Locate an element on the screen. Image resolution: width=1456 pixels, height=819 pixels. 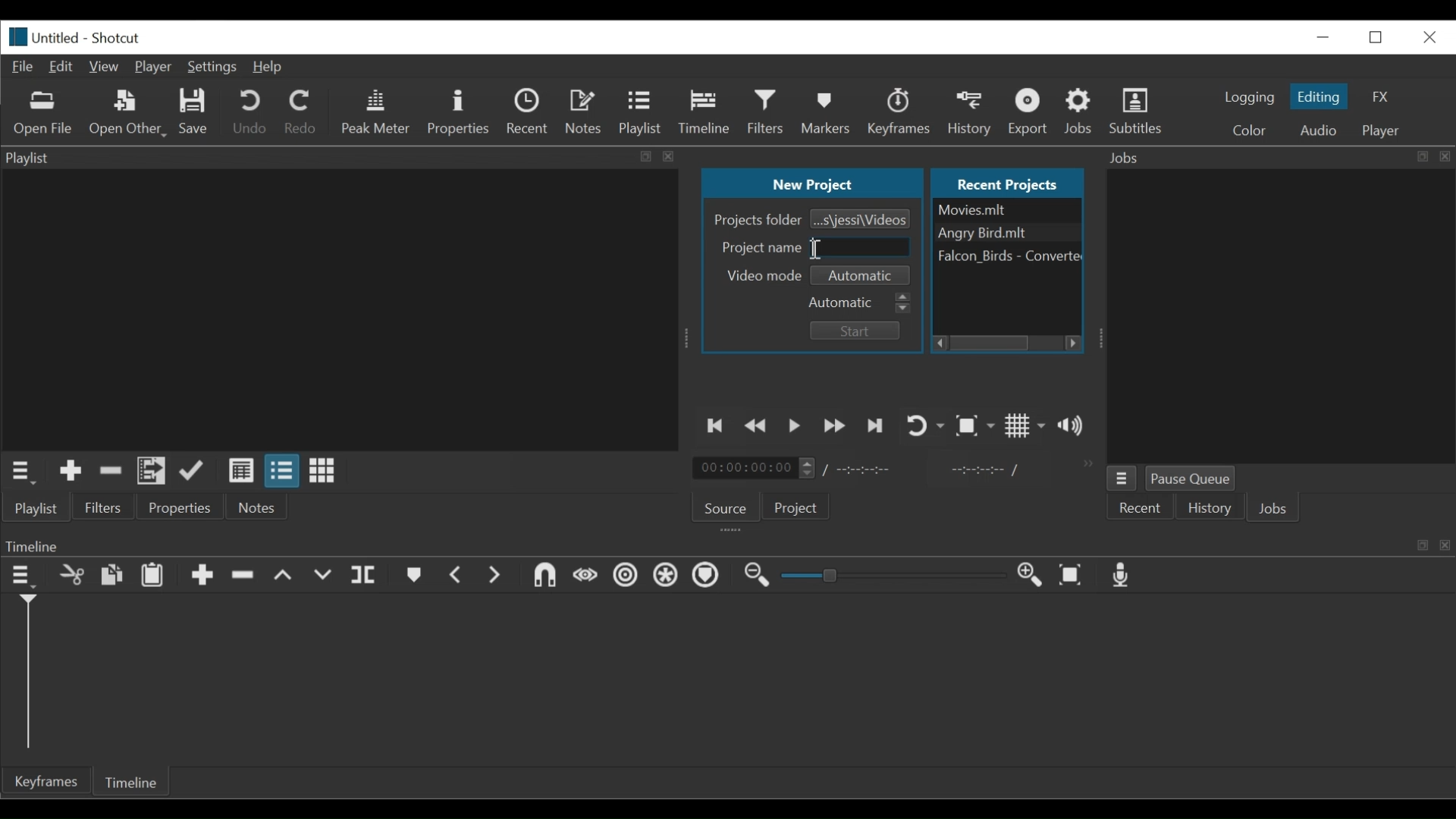
Select Video mode is located at coordinates (863, 275).